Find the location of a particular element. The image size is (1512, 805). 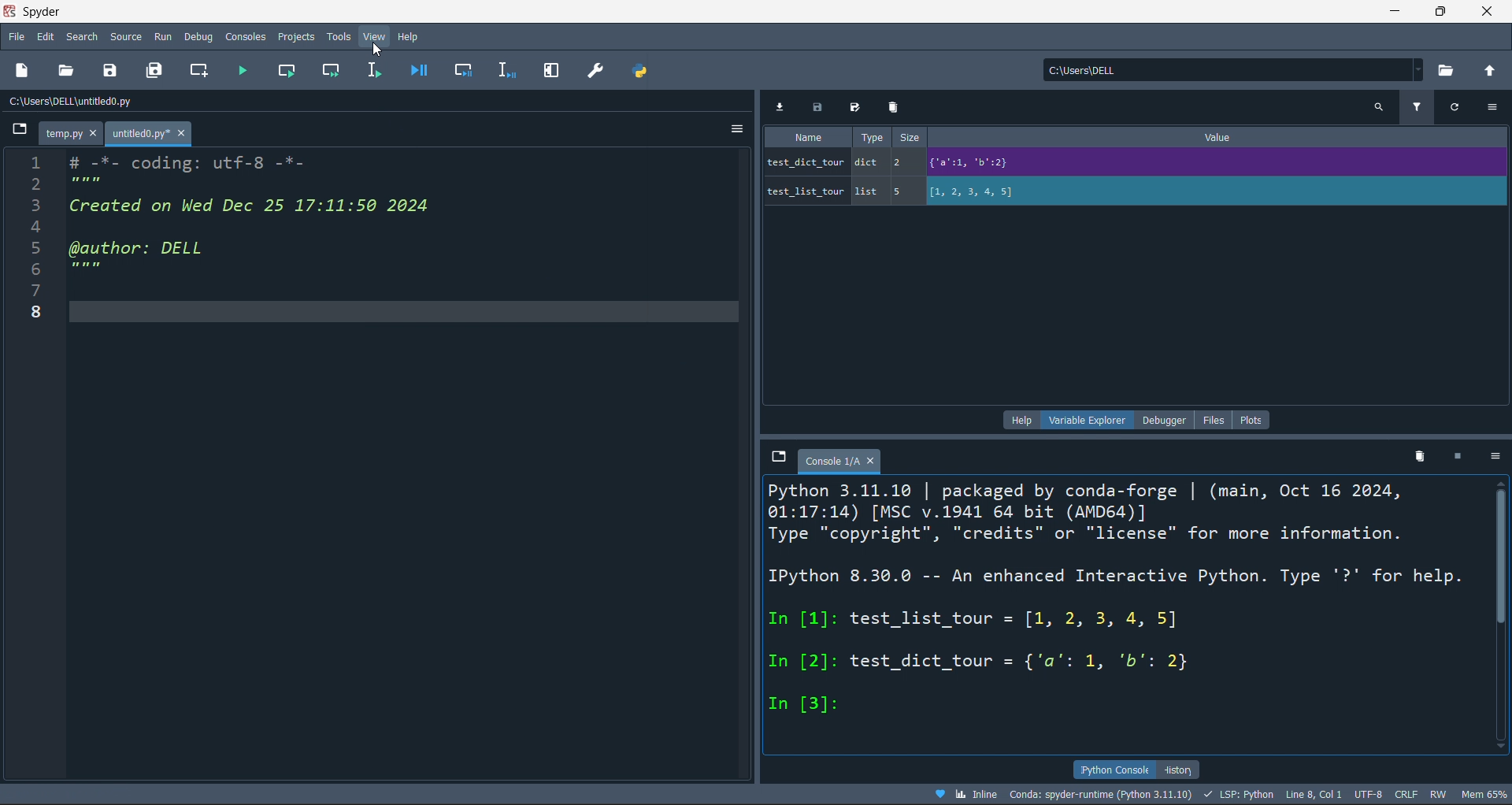

file is located at coordinates (1210, 418).